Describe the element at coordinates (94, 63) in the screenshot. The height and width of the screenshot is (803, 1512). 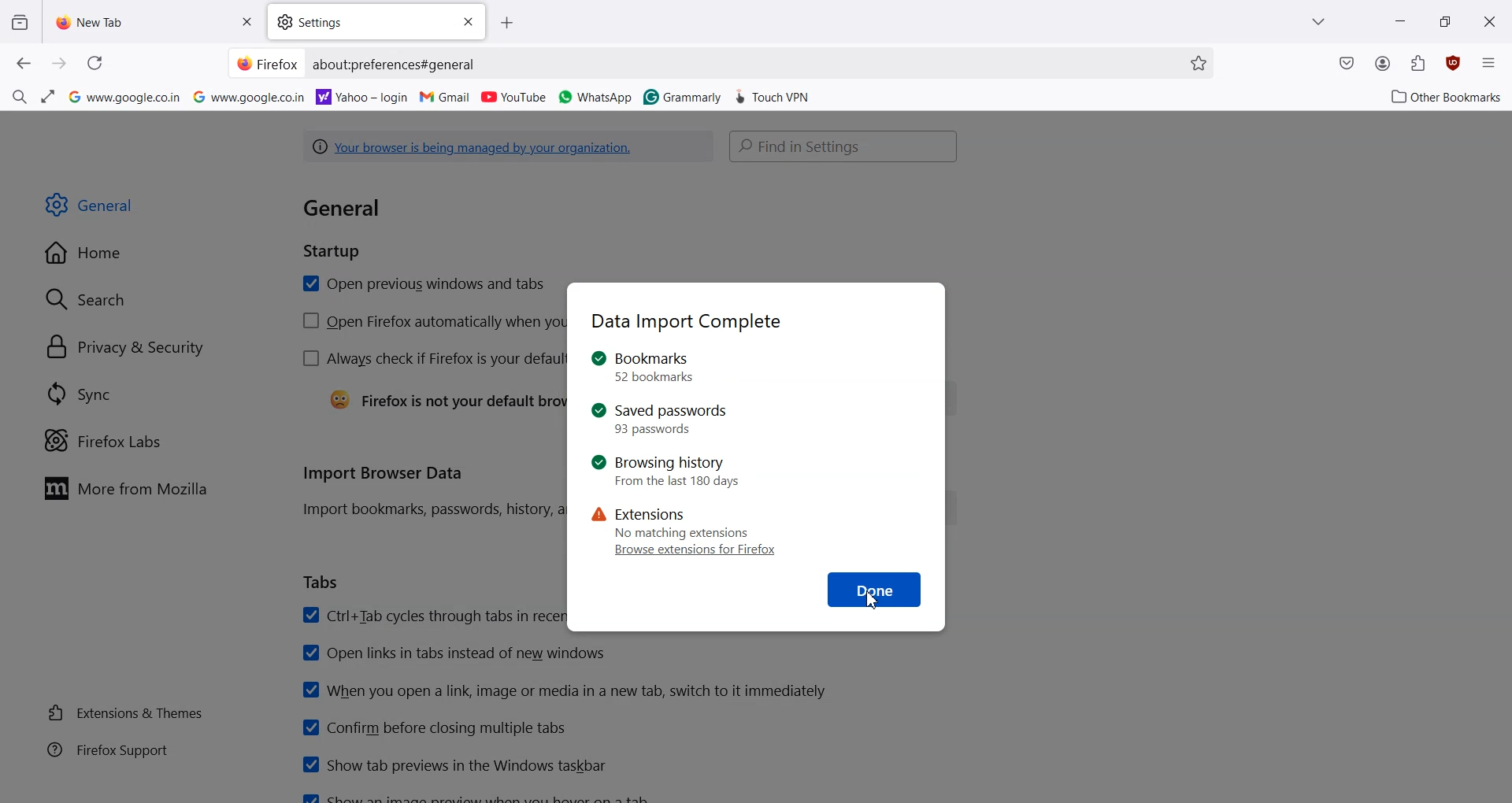
I see `Refresh` at that location.